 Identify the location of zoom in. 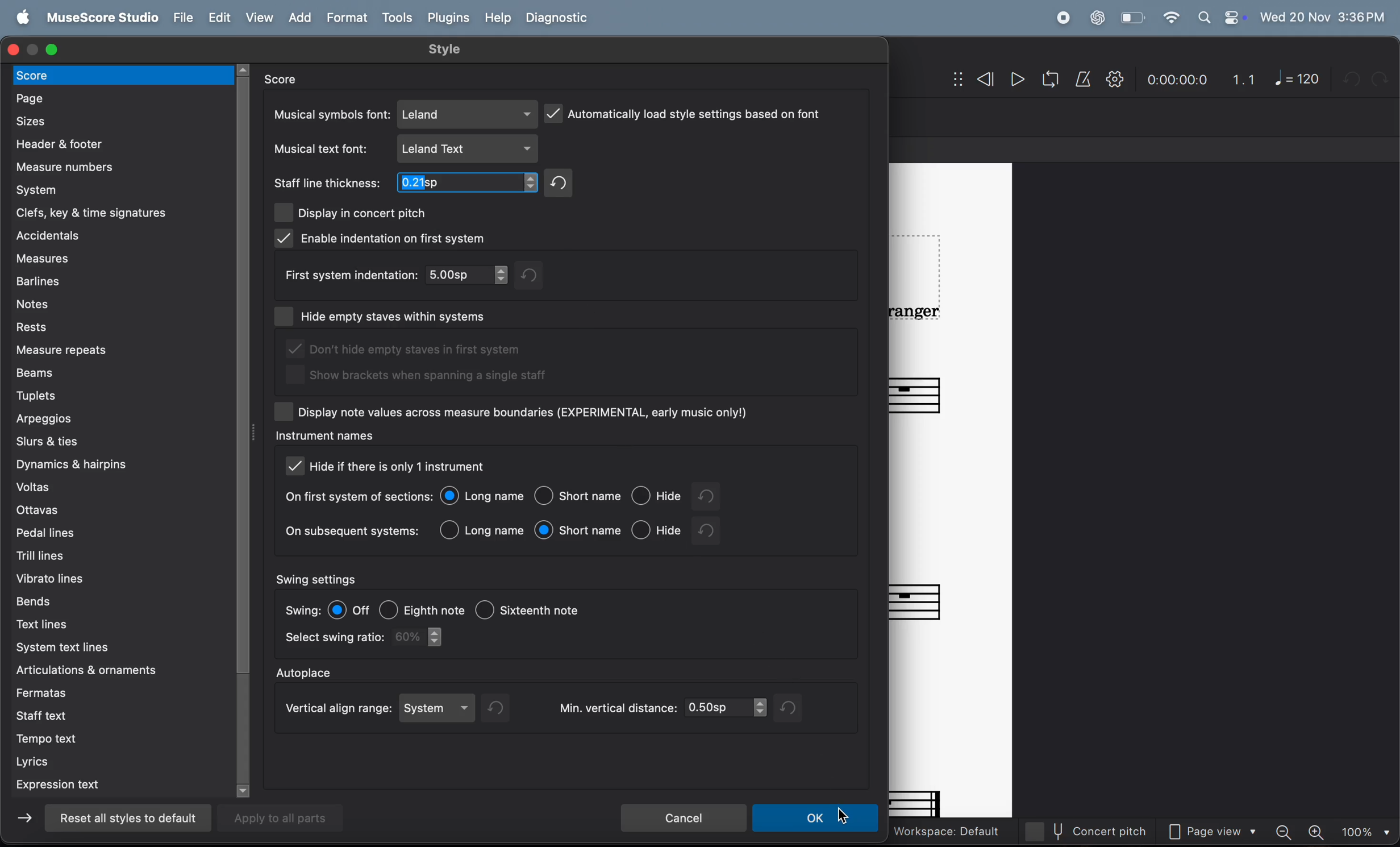
(1318, 832).